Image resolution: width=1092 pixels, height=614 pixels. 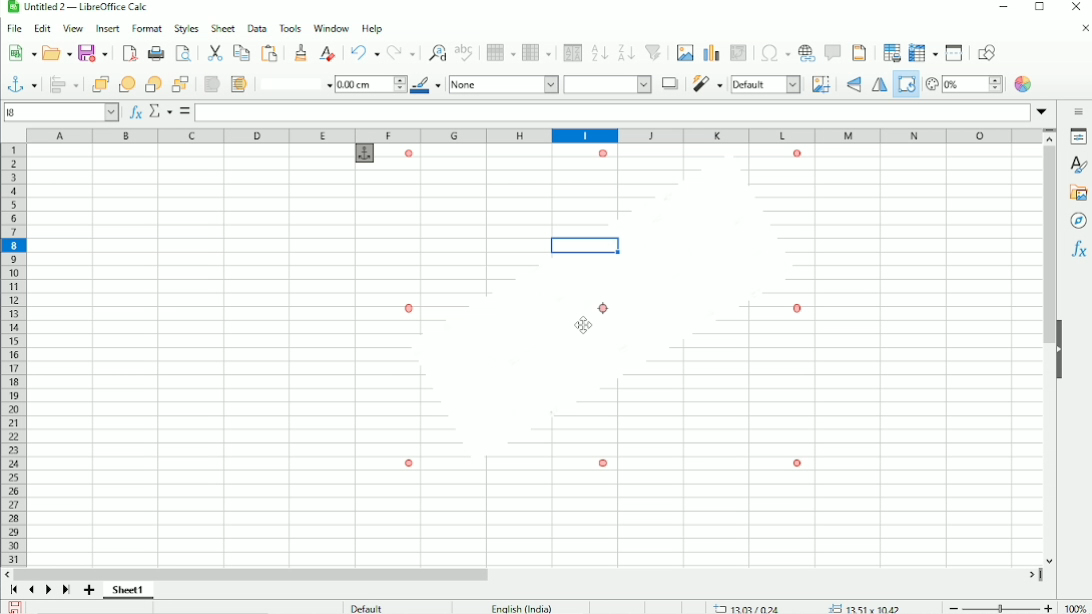 What do you see at coordinates (1024, 84) in the screenshot?
I see `Color` at bounding box center [1024, 84].